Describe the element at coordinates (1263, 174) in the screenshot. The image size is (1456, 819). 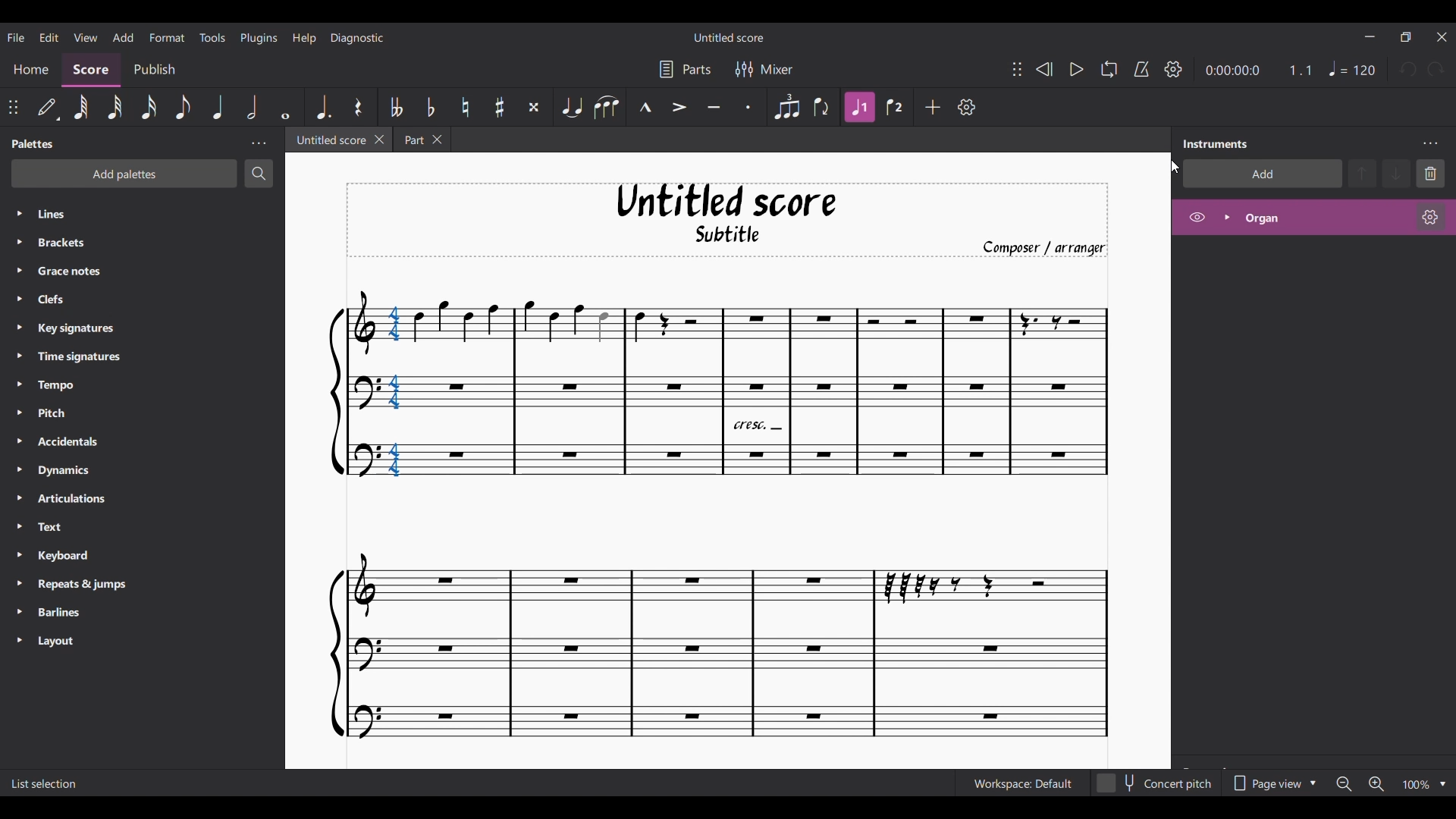
I see `Add instrument` at that location.